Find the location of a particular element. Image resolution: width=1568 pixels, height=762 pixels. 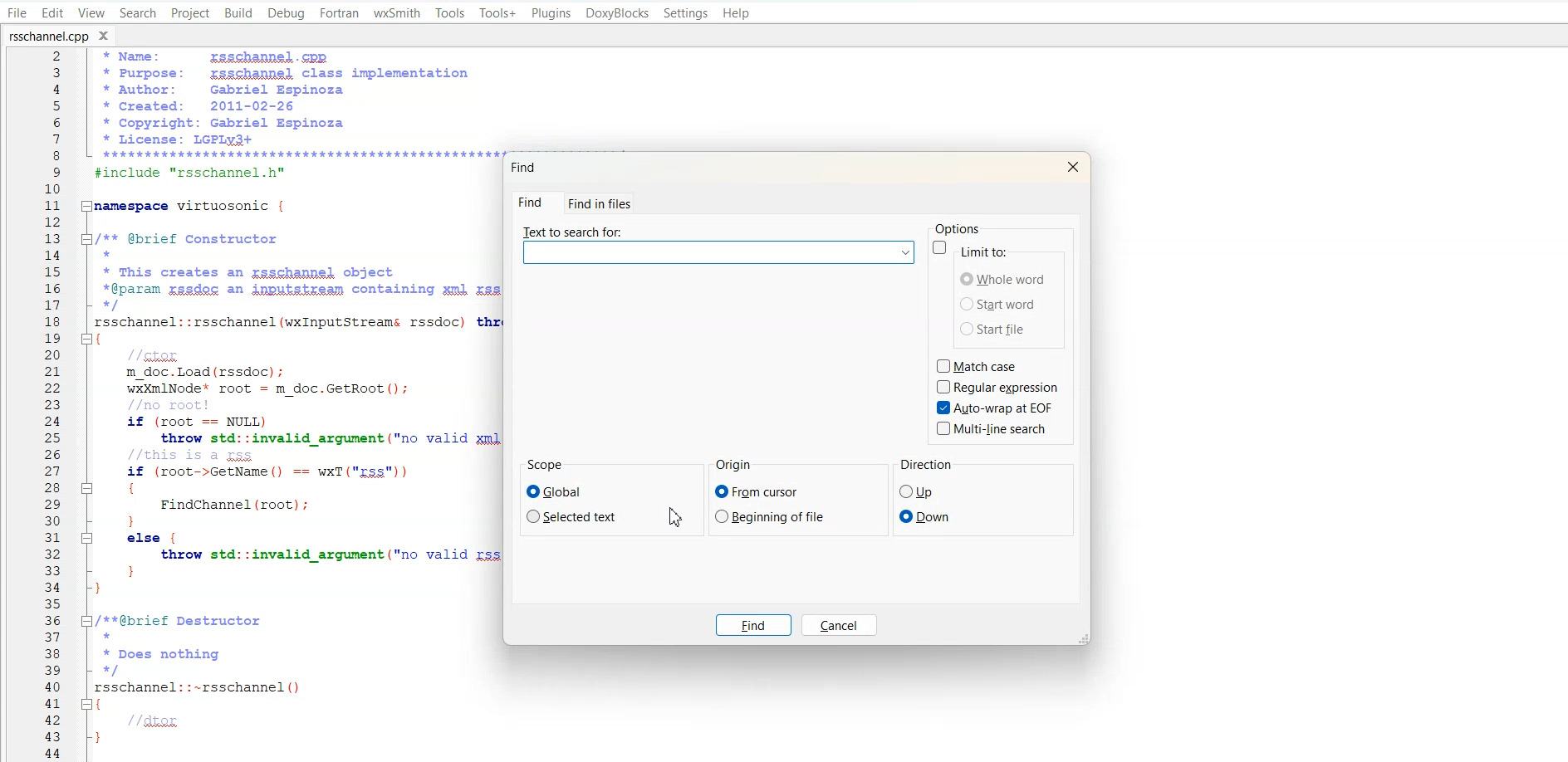

Collapse is located at coordinates (87, 704).